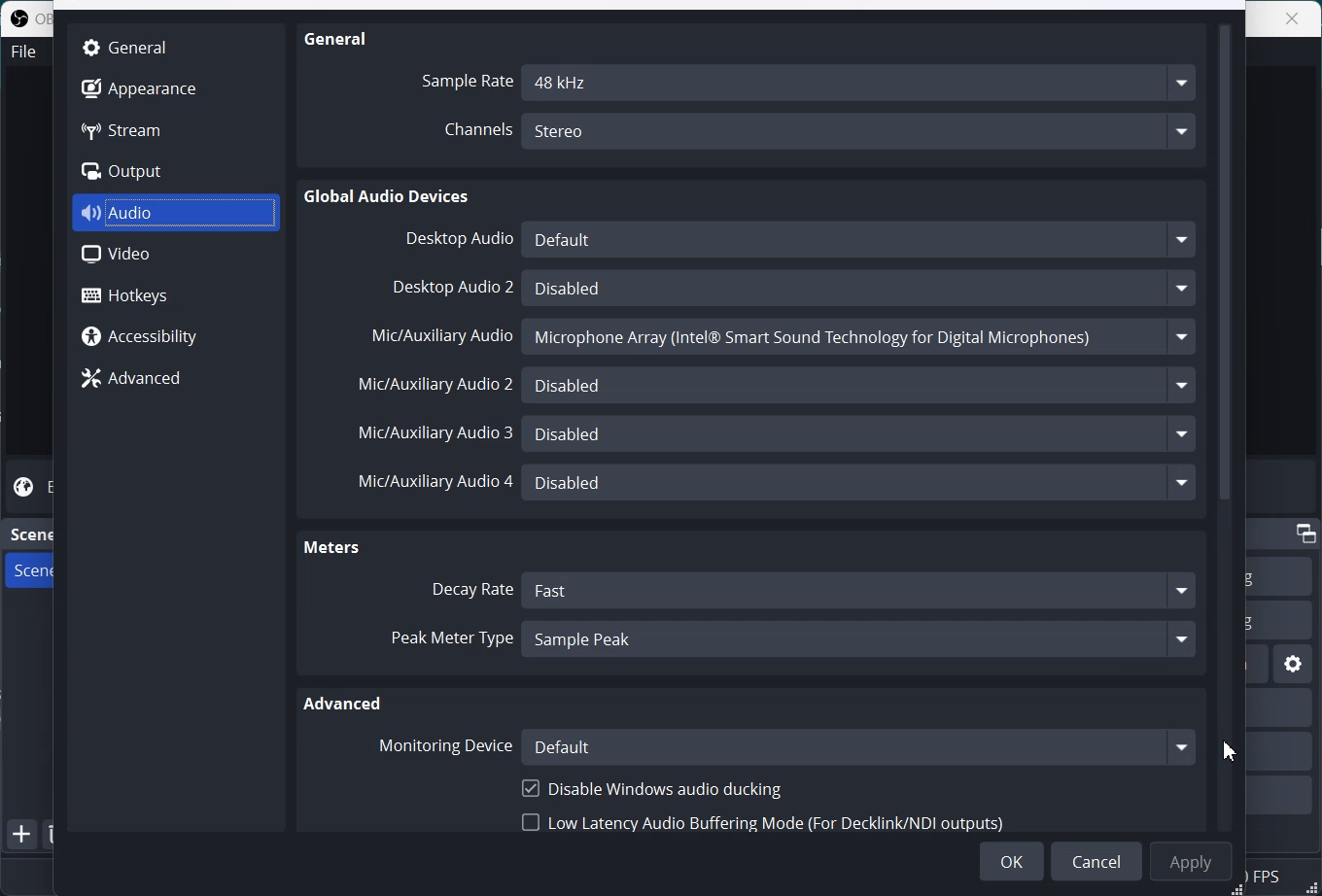  What do you see at coordinates (388, 196) in the screenshot?
I see `Global Audio Devices` at bounding box center [388, 196].